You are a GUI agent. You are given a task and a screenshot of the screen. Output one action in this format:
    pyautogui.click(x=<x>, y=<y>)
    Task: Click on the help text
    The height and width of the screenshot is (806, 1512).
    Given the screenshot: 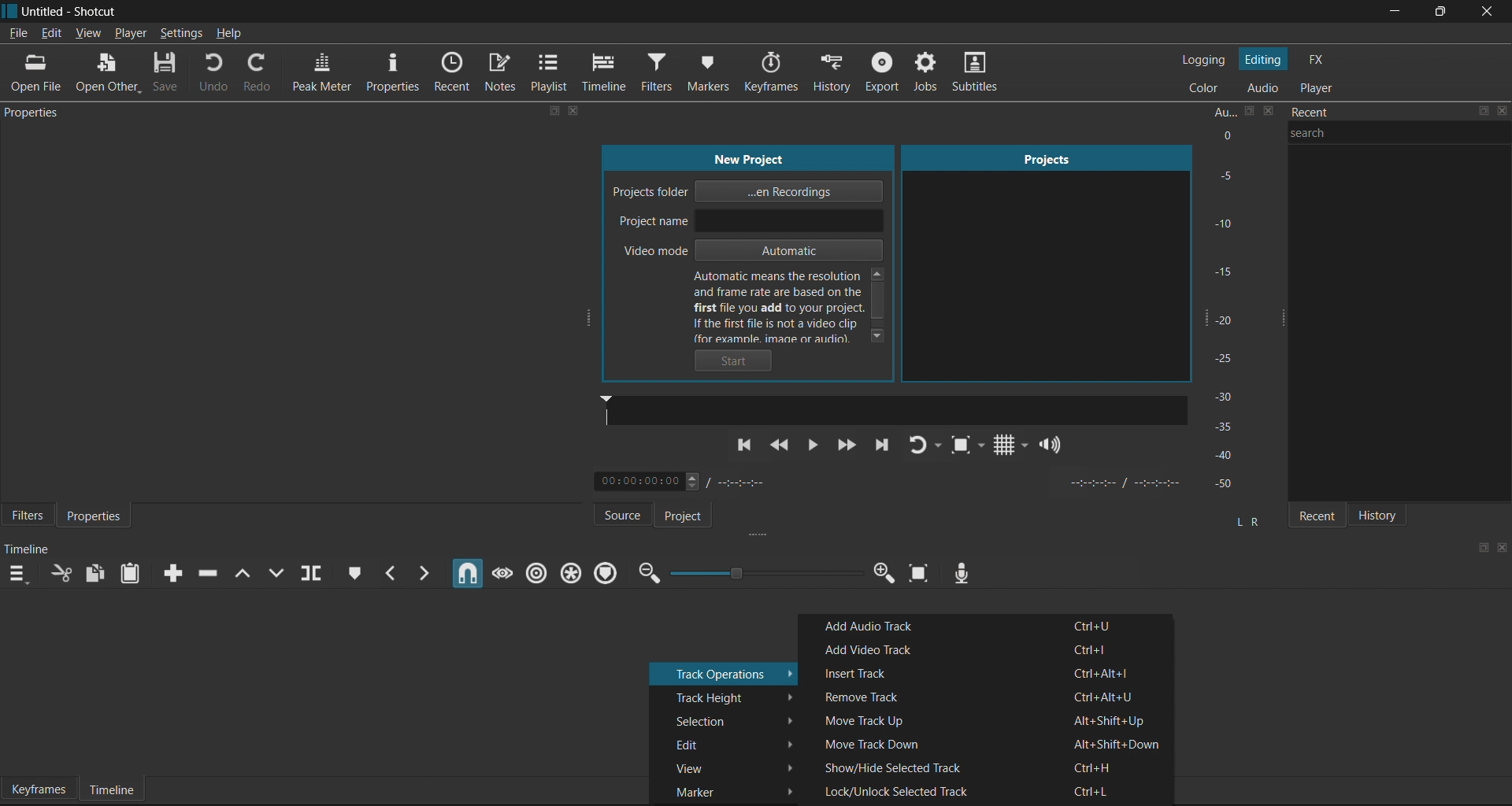 What is the action you would take?
    pyautogui.click(x=795, y=306)
    